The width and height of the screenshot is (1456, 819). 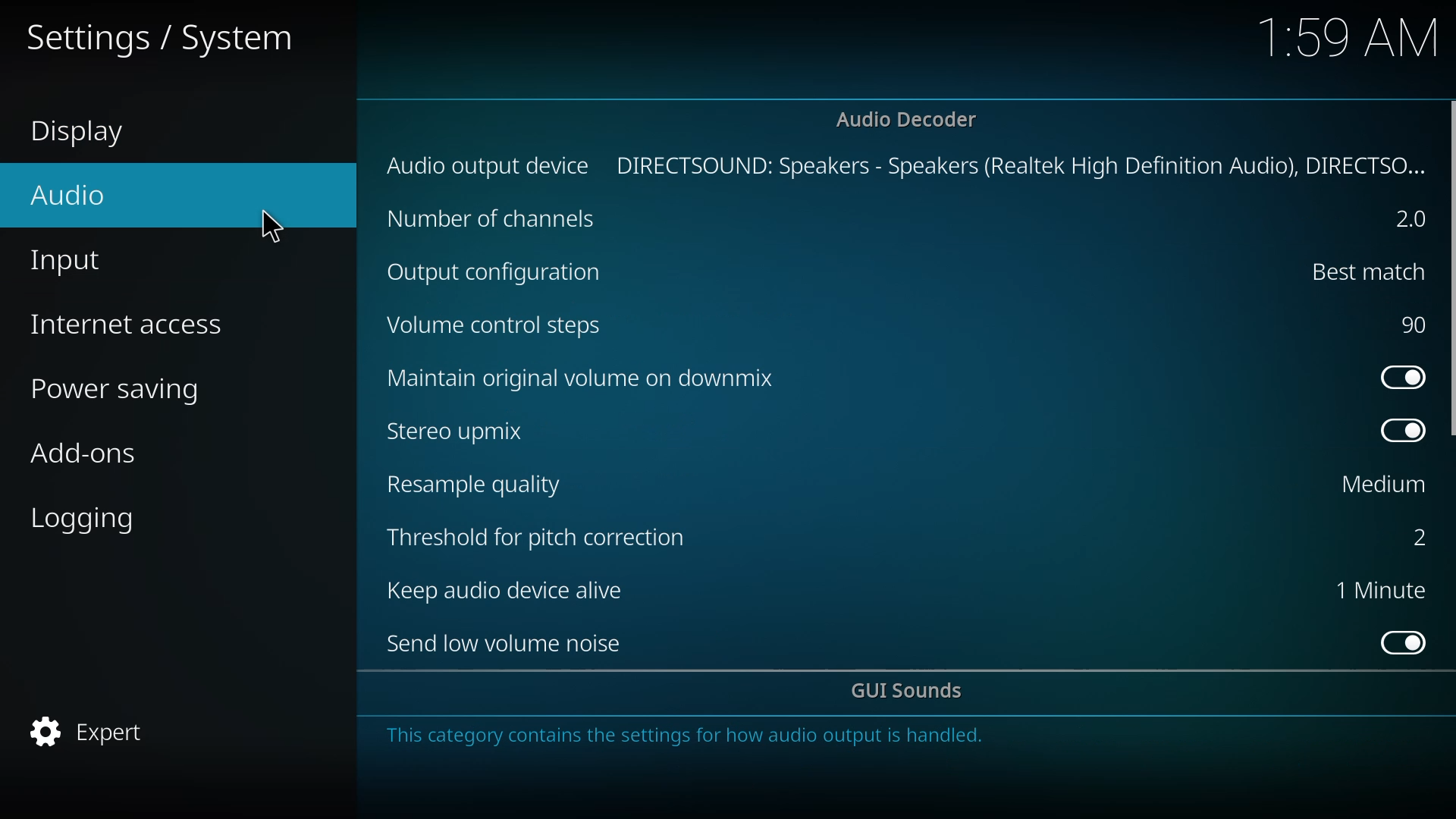 I want to click on time, so click(x=1351, y=37).